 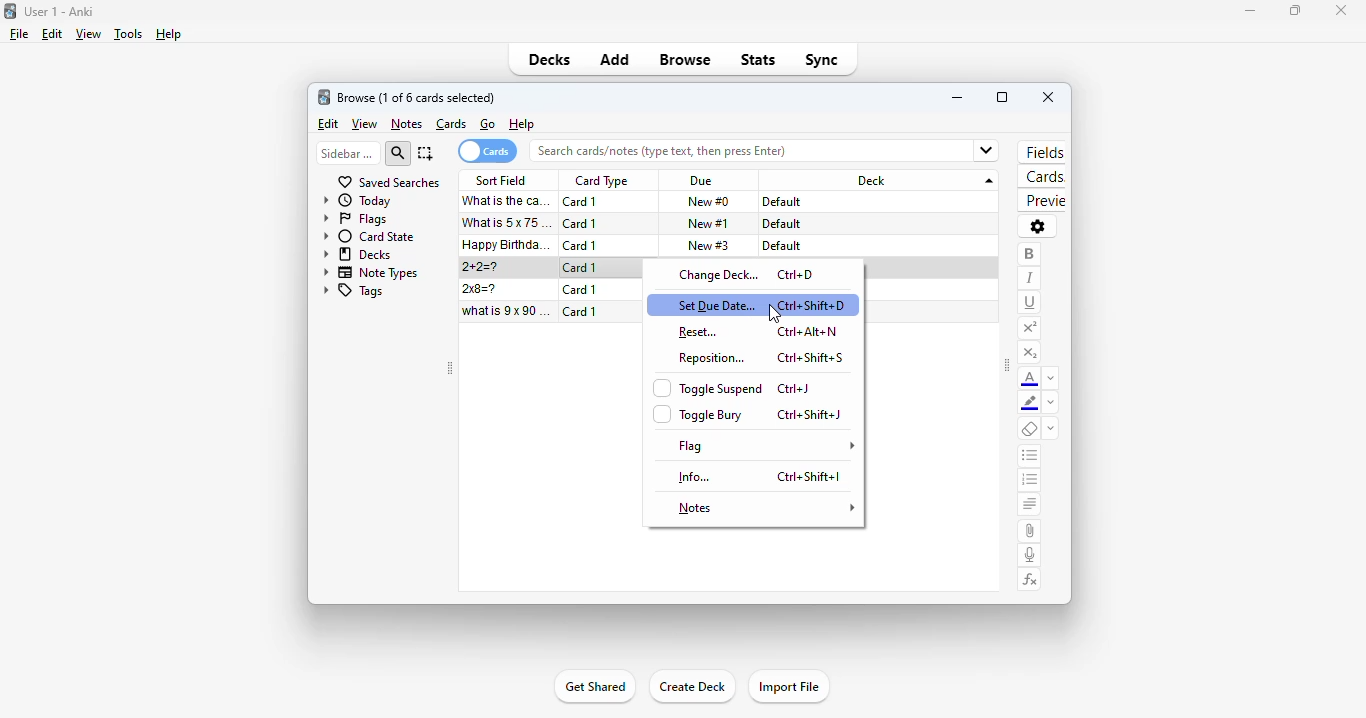 I want to click on decks, so click(x=358, y=254).